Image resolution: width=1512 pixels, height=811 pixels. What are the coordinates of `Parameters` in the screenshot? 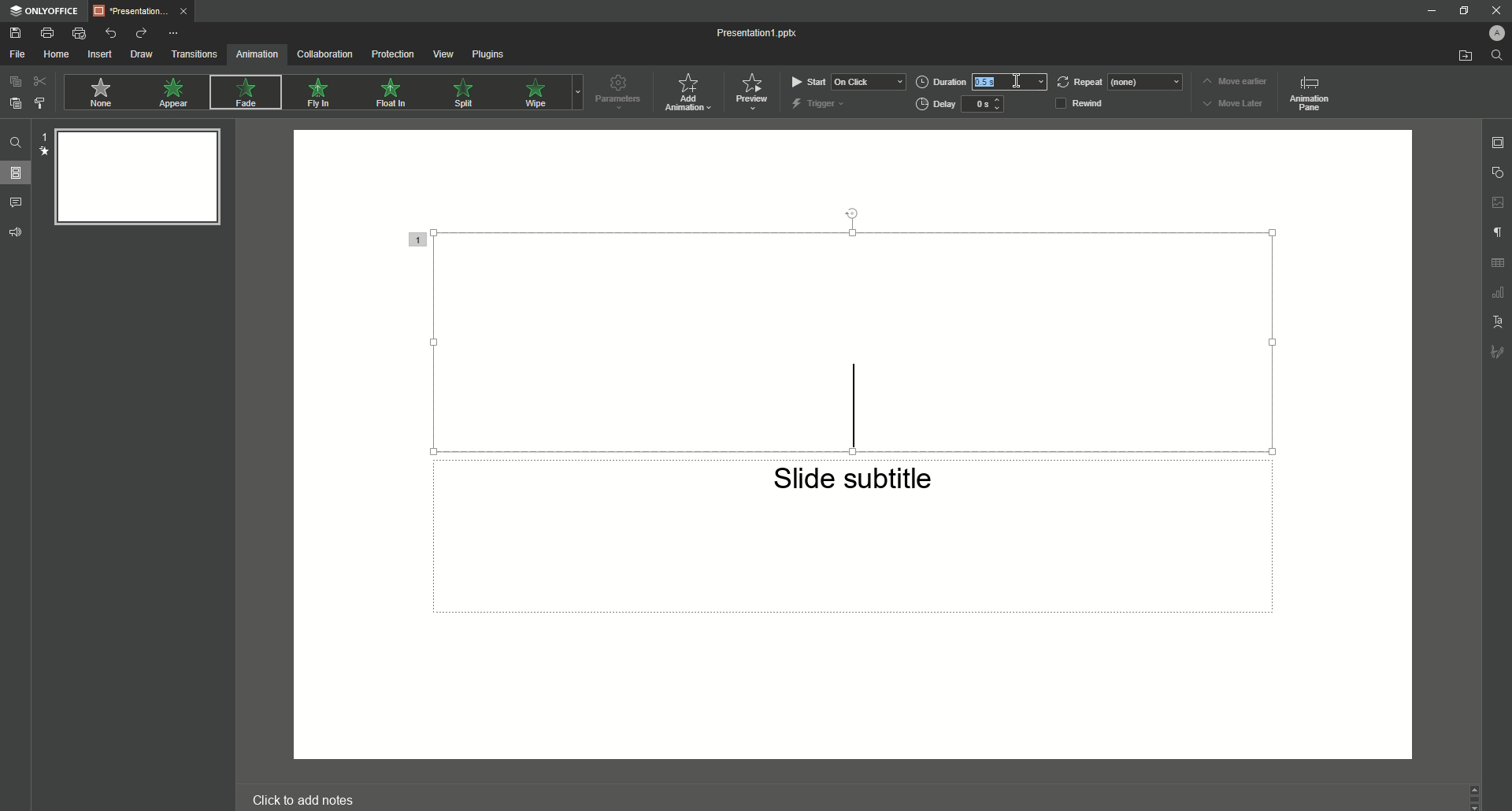 It's located at (617, 91).